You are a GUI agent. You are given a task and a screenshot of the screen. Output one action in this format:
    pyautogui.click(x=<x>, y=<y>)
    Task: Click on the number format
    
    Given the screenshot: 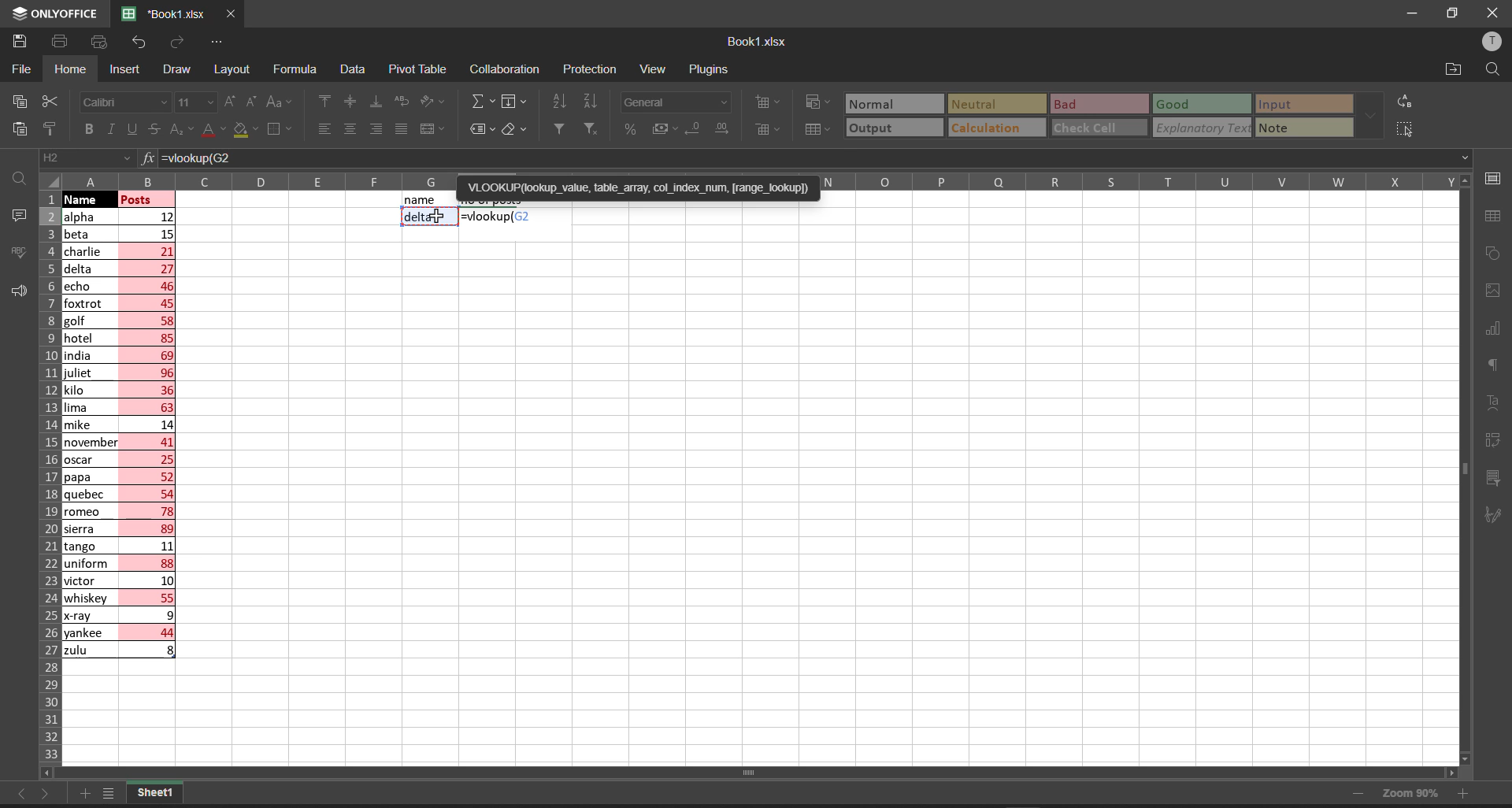 What is the action you would take?
    pyautogui.click(x=676, y=102)
    